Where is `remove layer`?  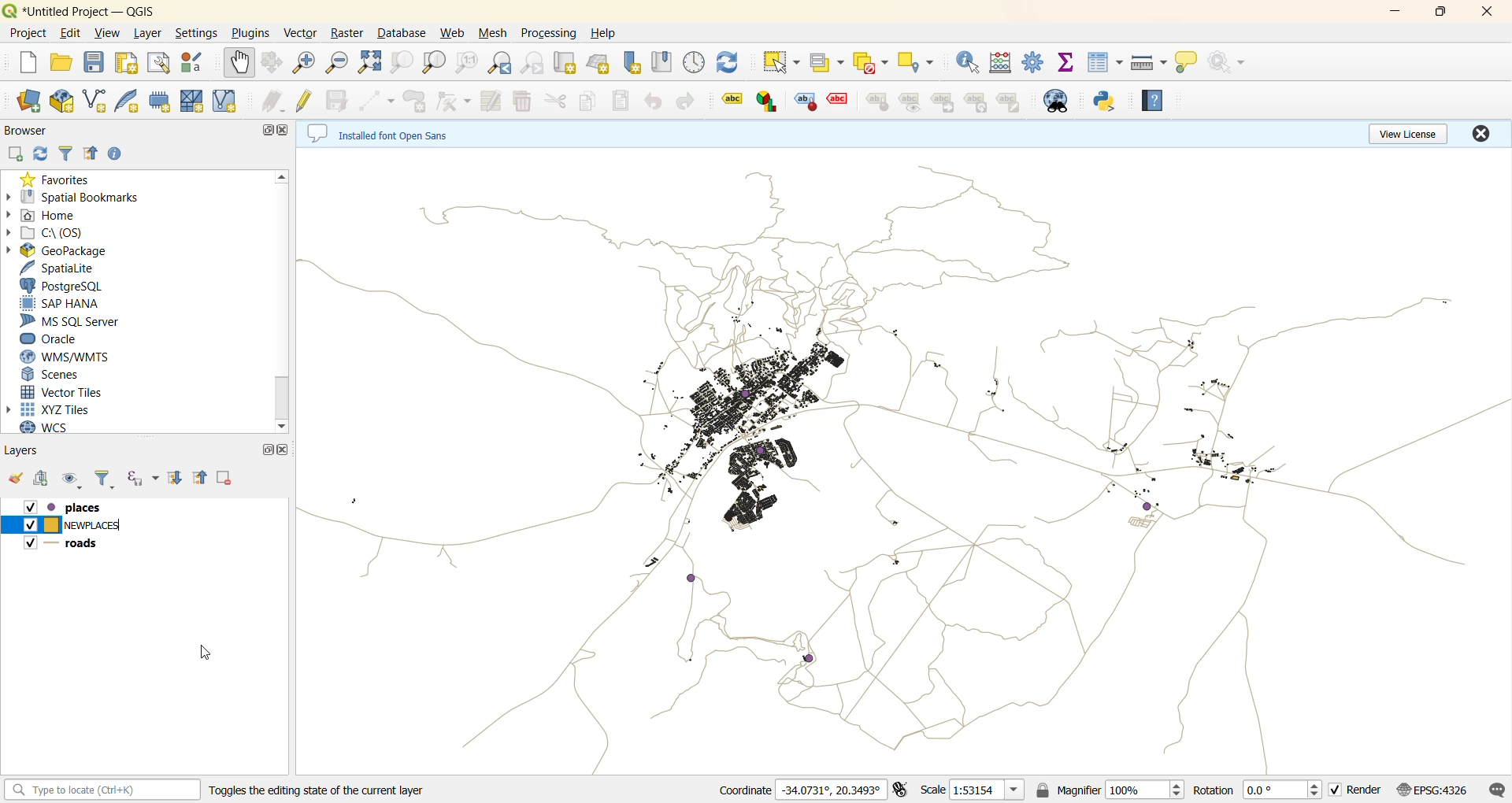
remove layer is located at coordinates (223, 475).